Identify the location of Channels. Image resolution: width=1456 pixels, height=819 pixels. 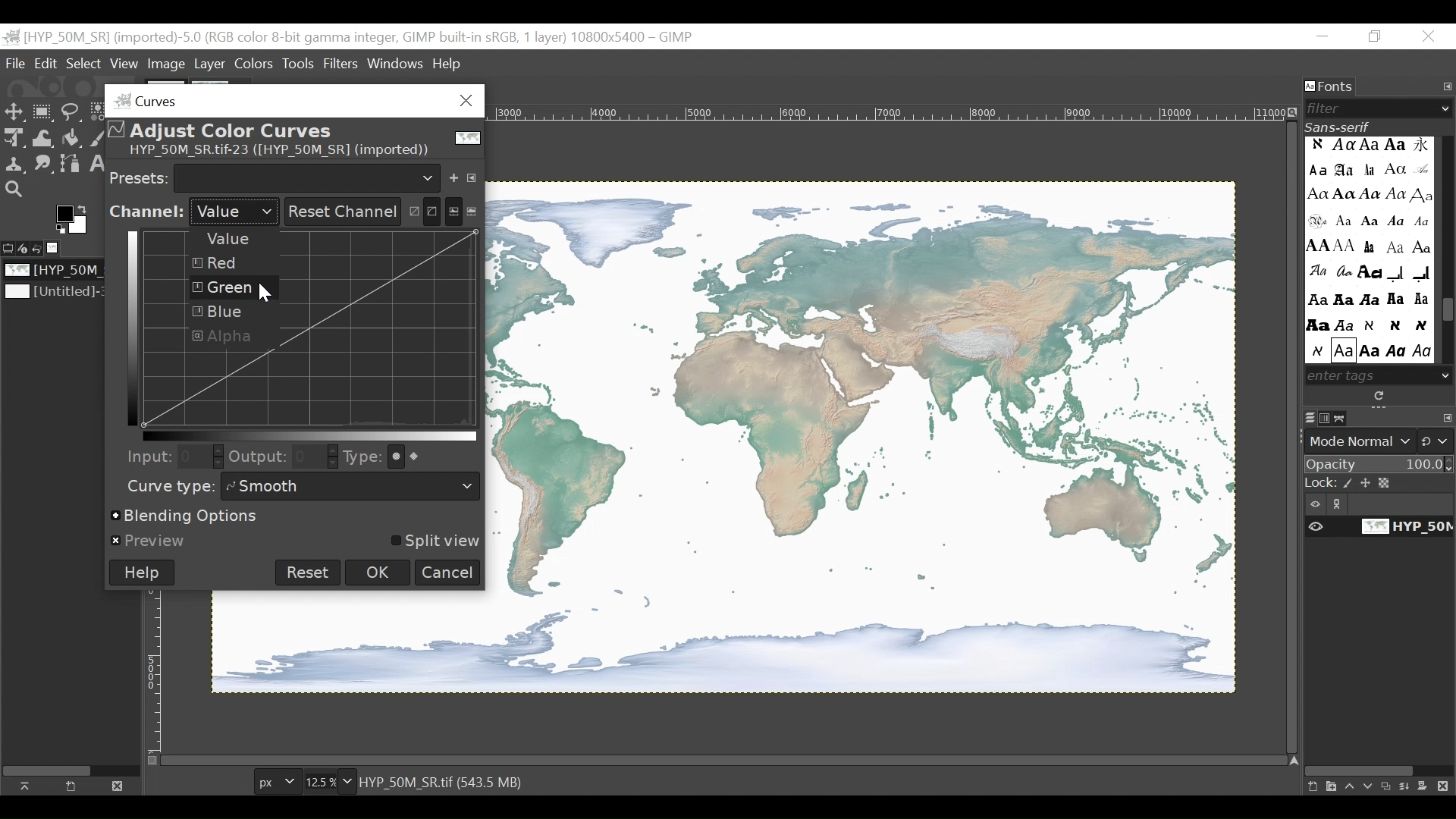
(1328, 418).